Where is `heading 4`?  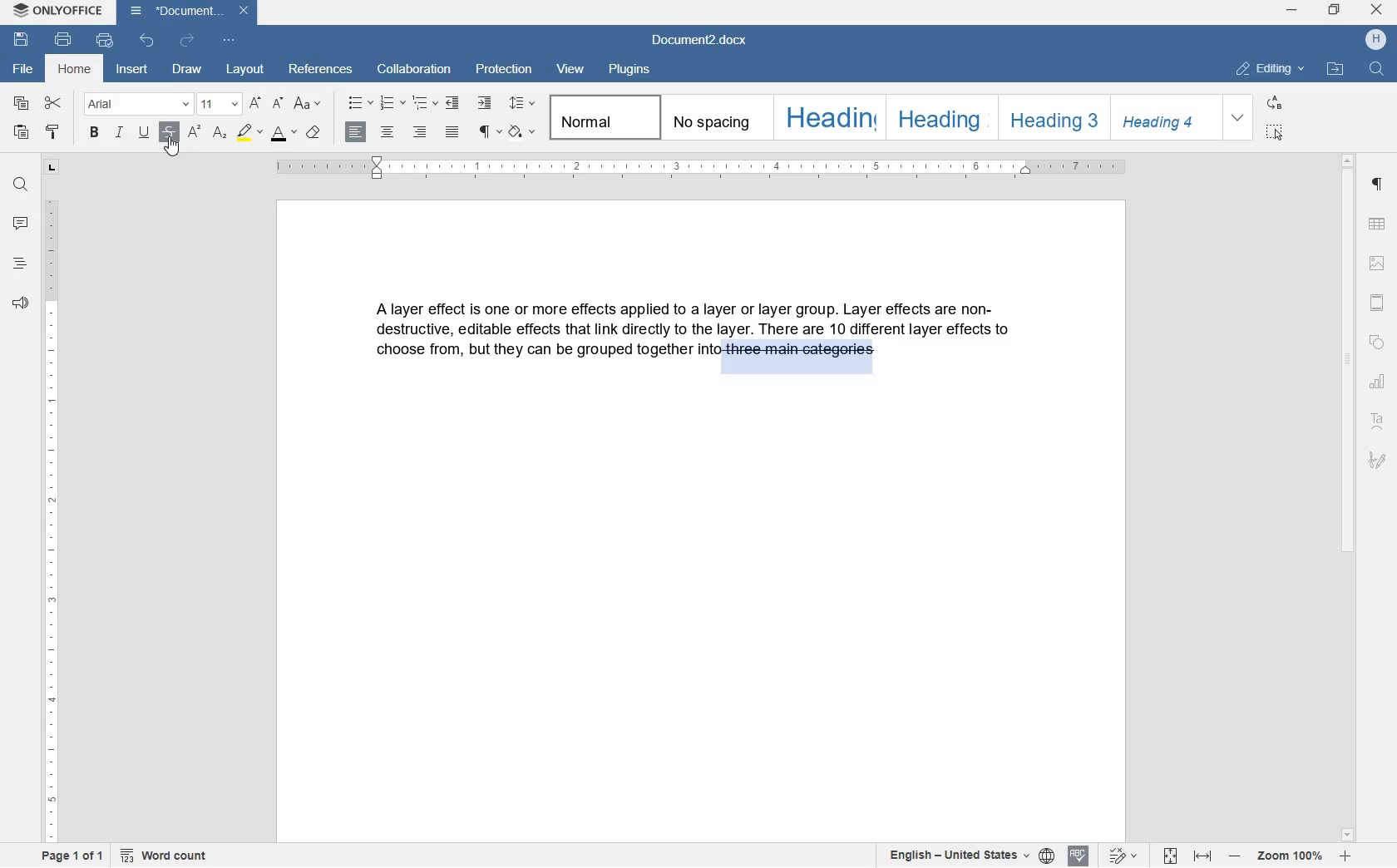
heading 4 is located at coordinates (1164, 116).